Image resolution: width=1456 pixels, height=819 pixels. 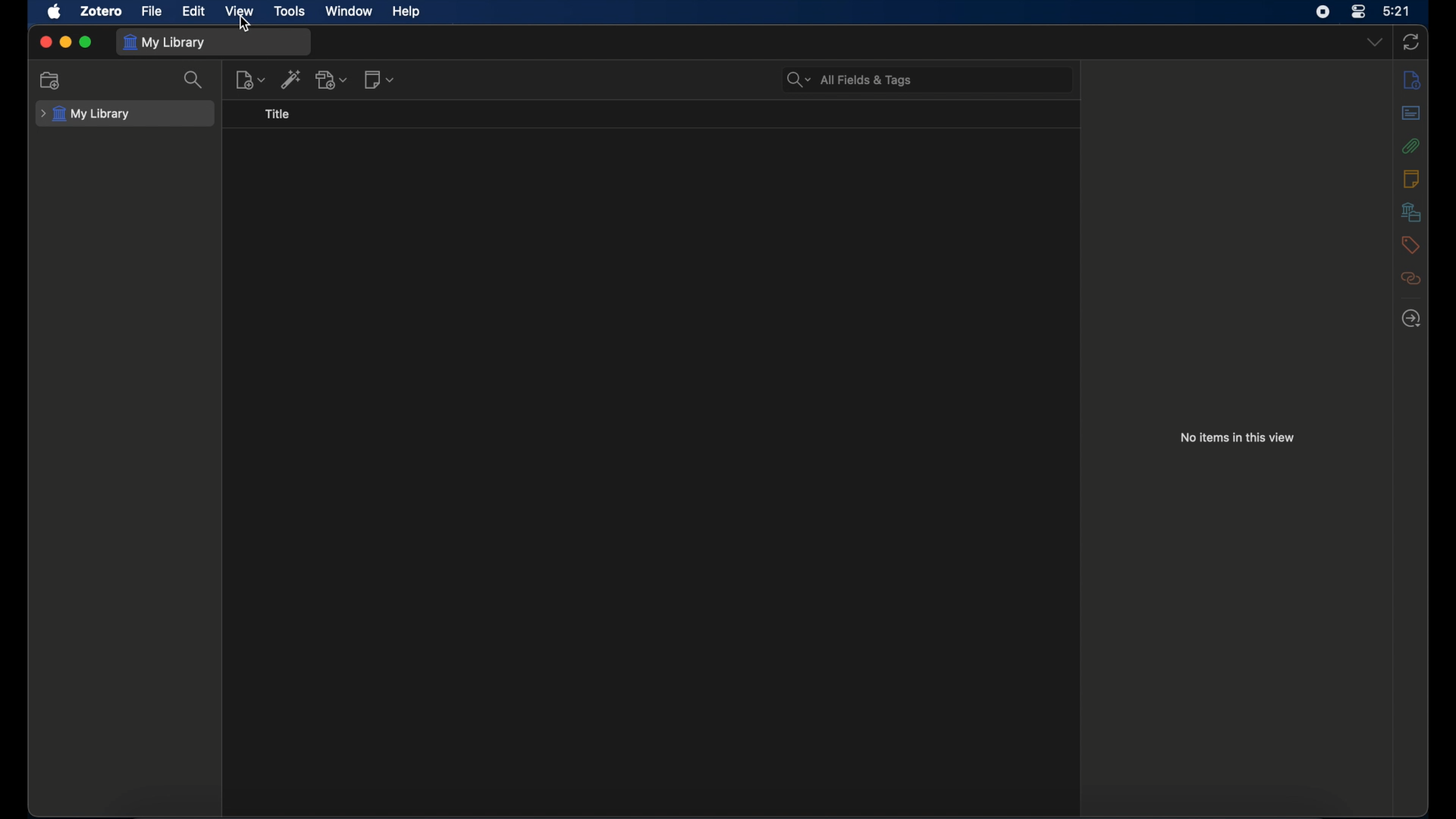 What do you see at coordinates (292, 79) in the screenshot?
I see `add item by identifier` at bounding box center [292, 79].